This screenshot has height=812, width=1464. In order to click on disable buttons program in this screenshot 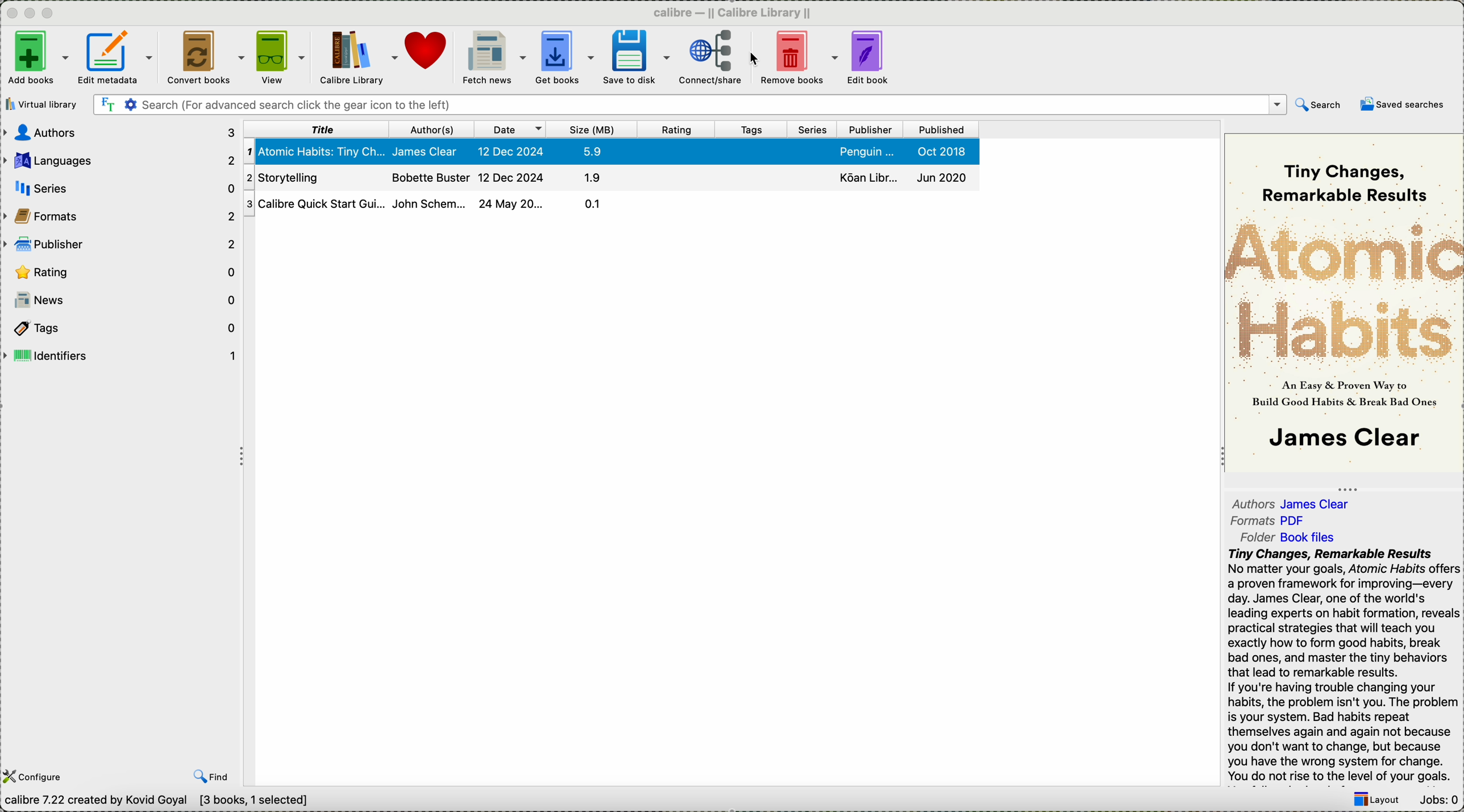, I will do `click(32, 14)`.